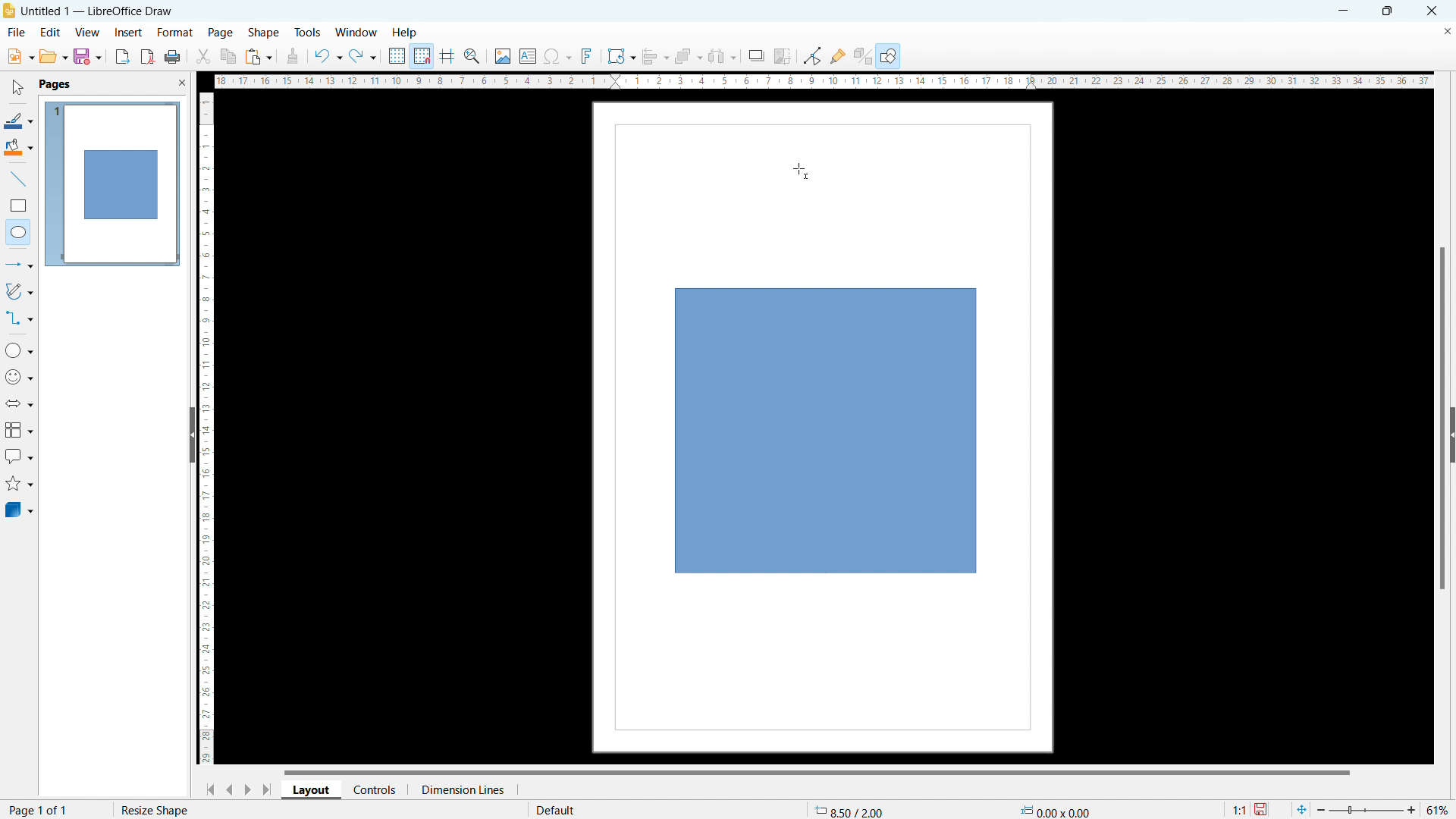 Image resolution: width=1456 pixels, height=819 pixels. I want to click on logo, so click(9, 11).